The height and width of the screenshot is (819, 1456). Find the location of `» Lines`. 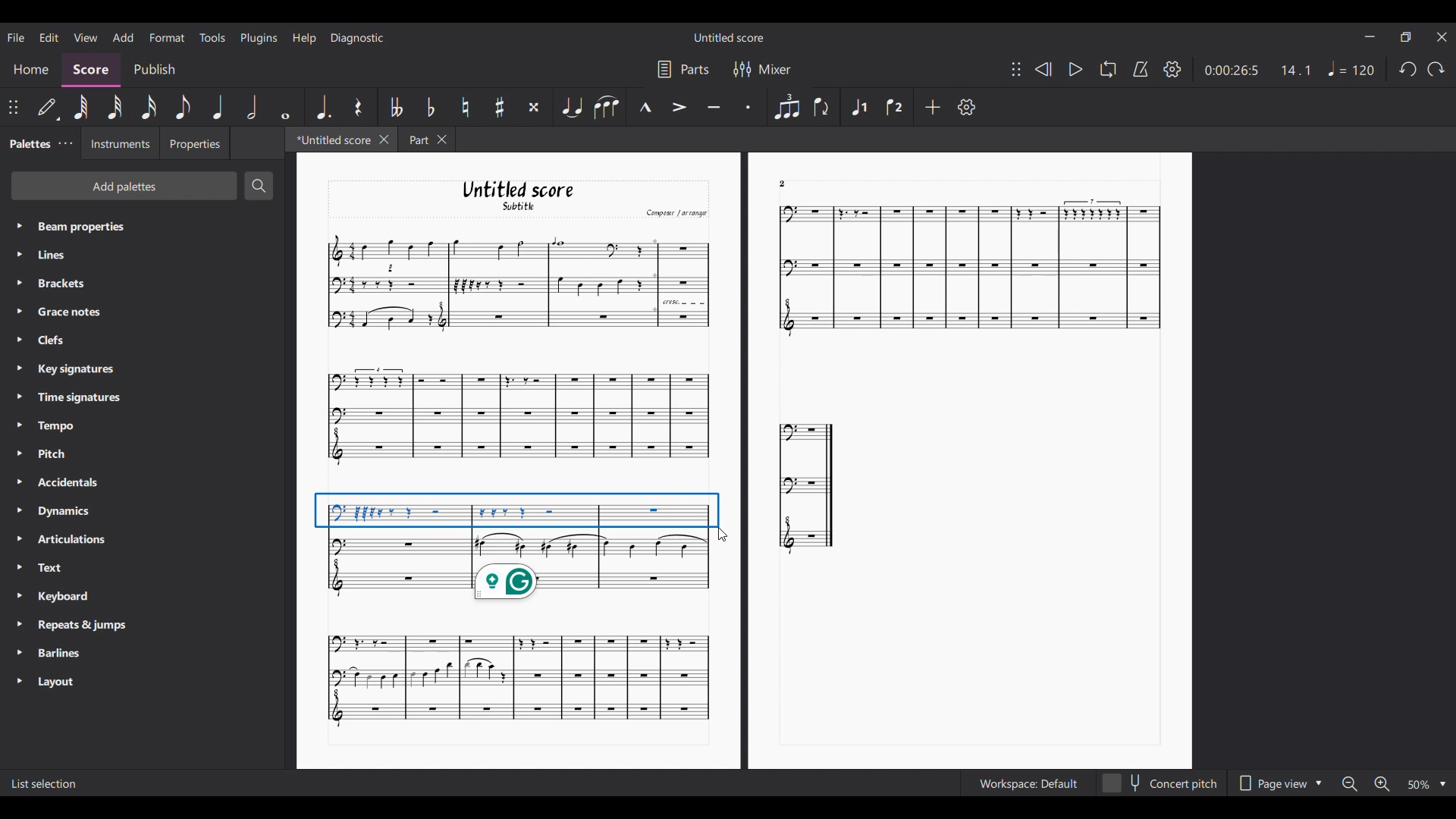

» Lines is located at coordinates (66, 256).